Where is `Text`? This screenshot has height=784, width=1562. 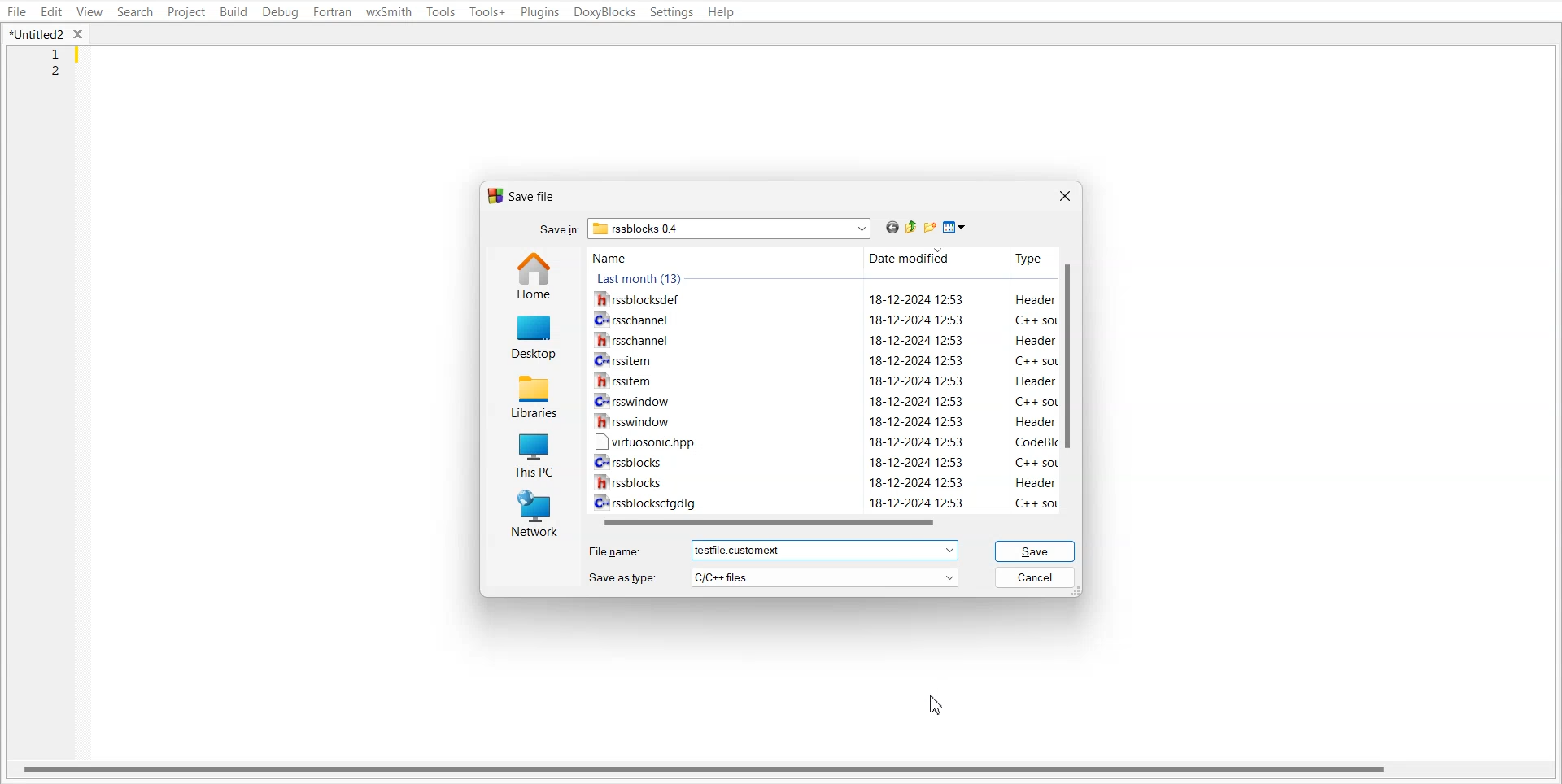 Text is located at coordinates (523, 196).